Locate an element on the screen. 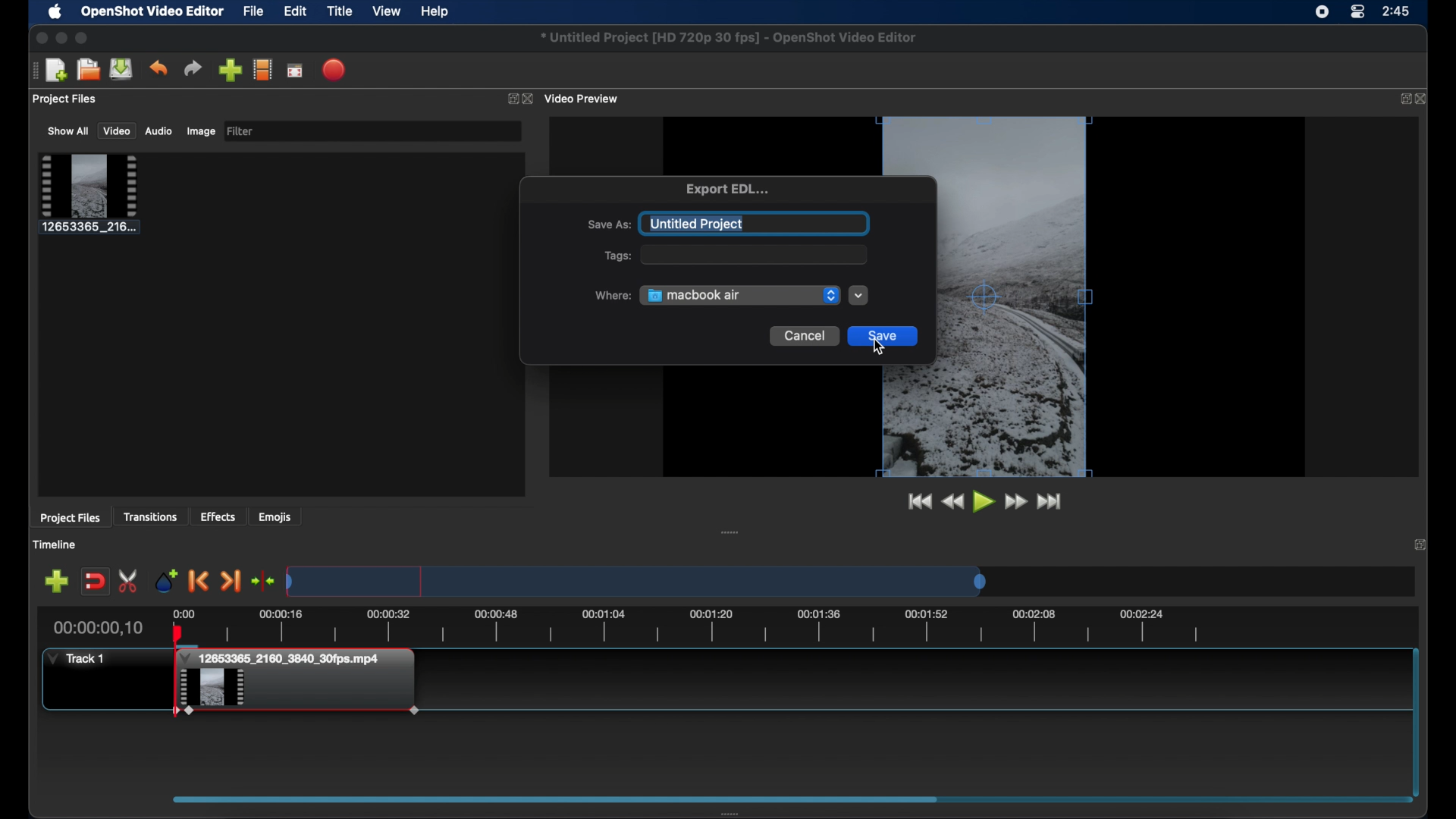 The width and height of the screenshot is (1456, 819). audio is located at coordinates (159, 132).